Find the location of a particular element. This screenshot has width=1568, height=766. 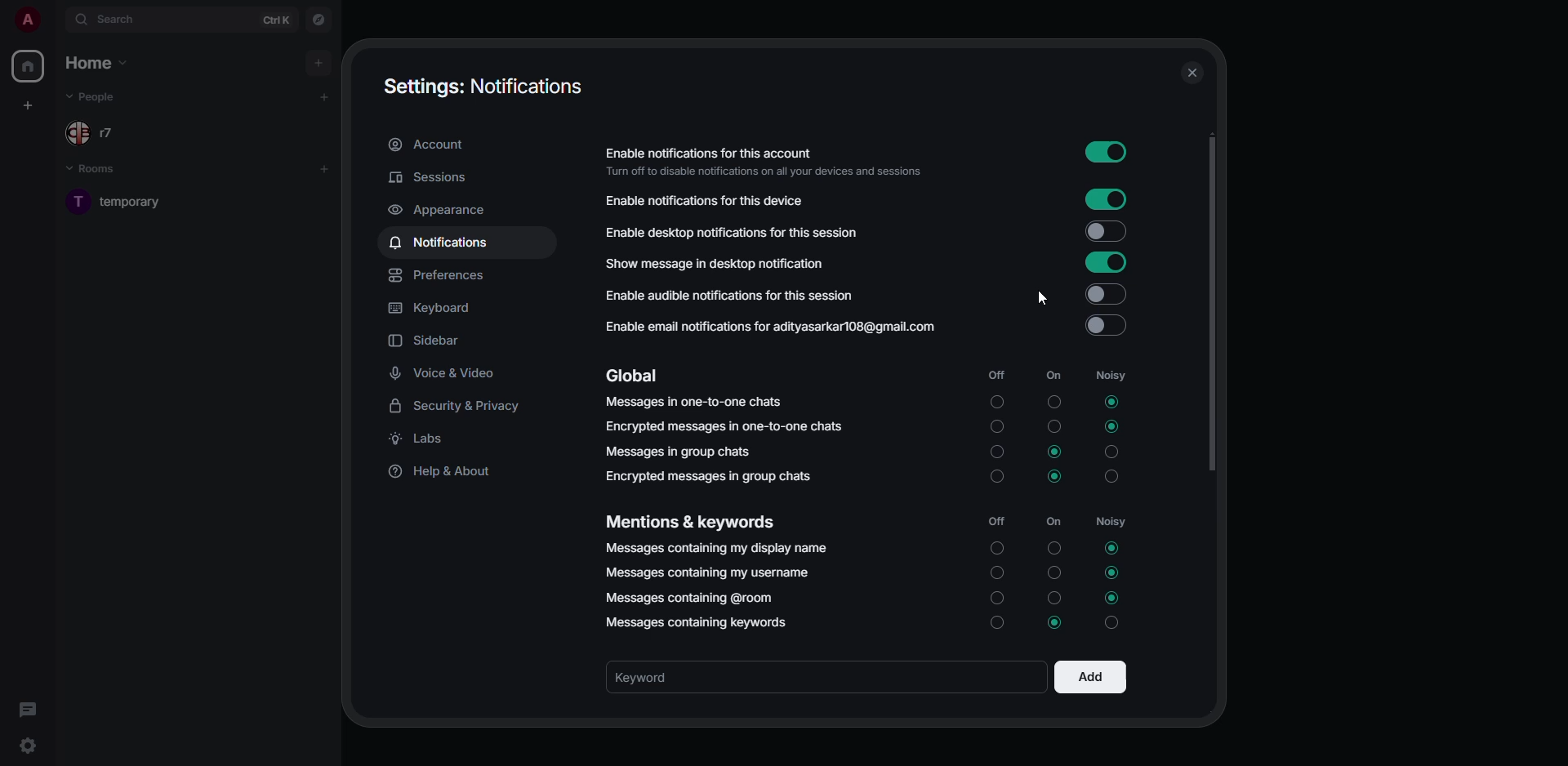

enabled is located at coordinates (1107, 231).